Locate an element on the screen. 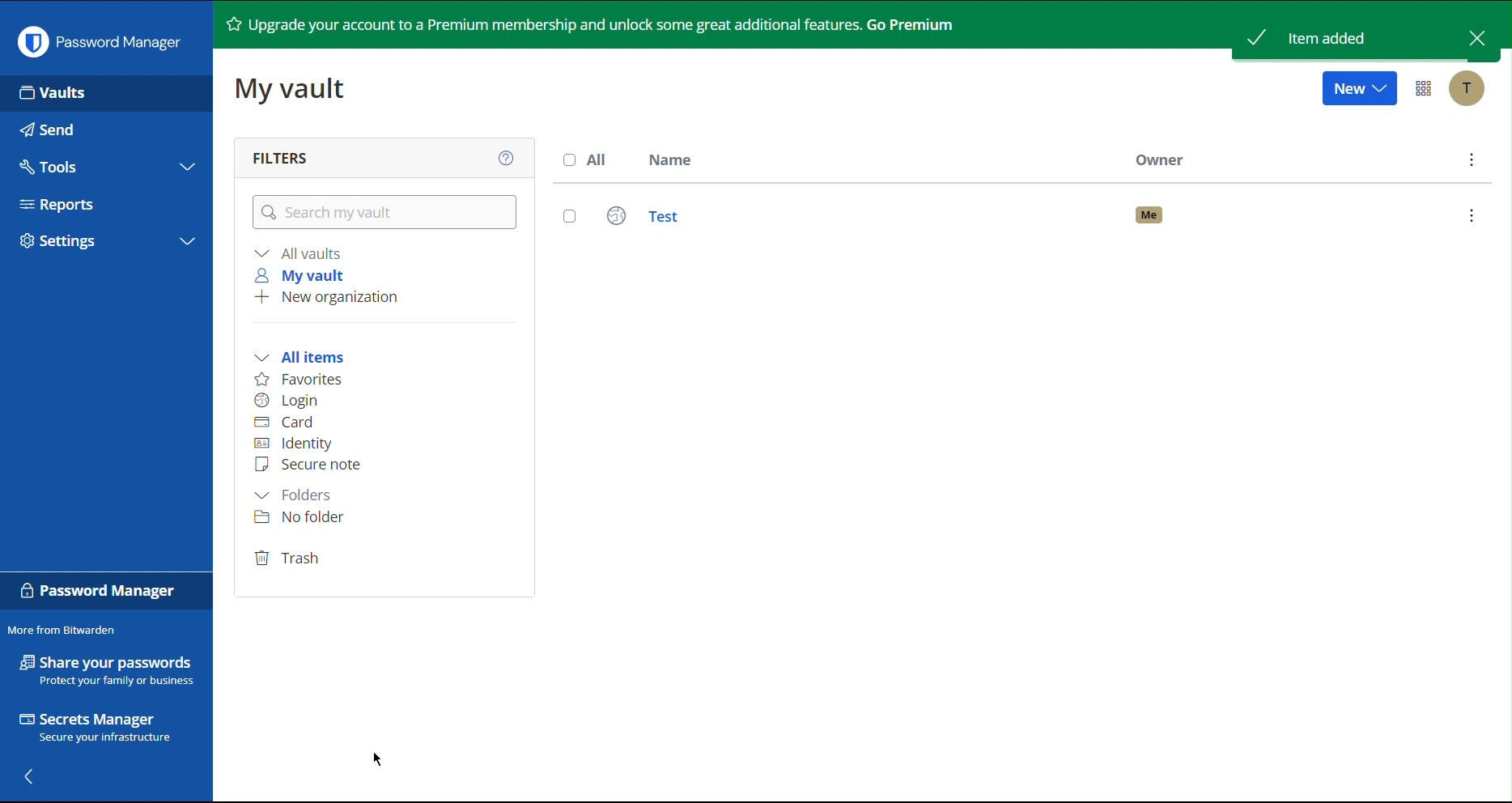  No folder is located at coordinates (302, 520).